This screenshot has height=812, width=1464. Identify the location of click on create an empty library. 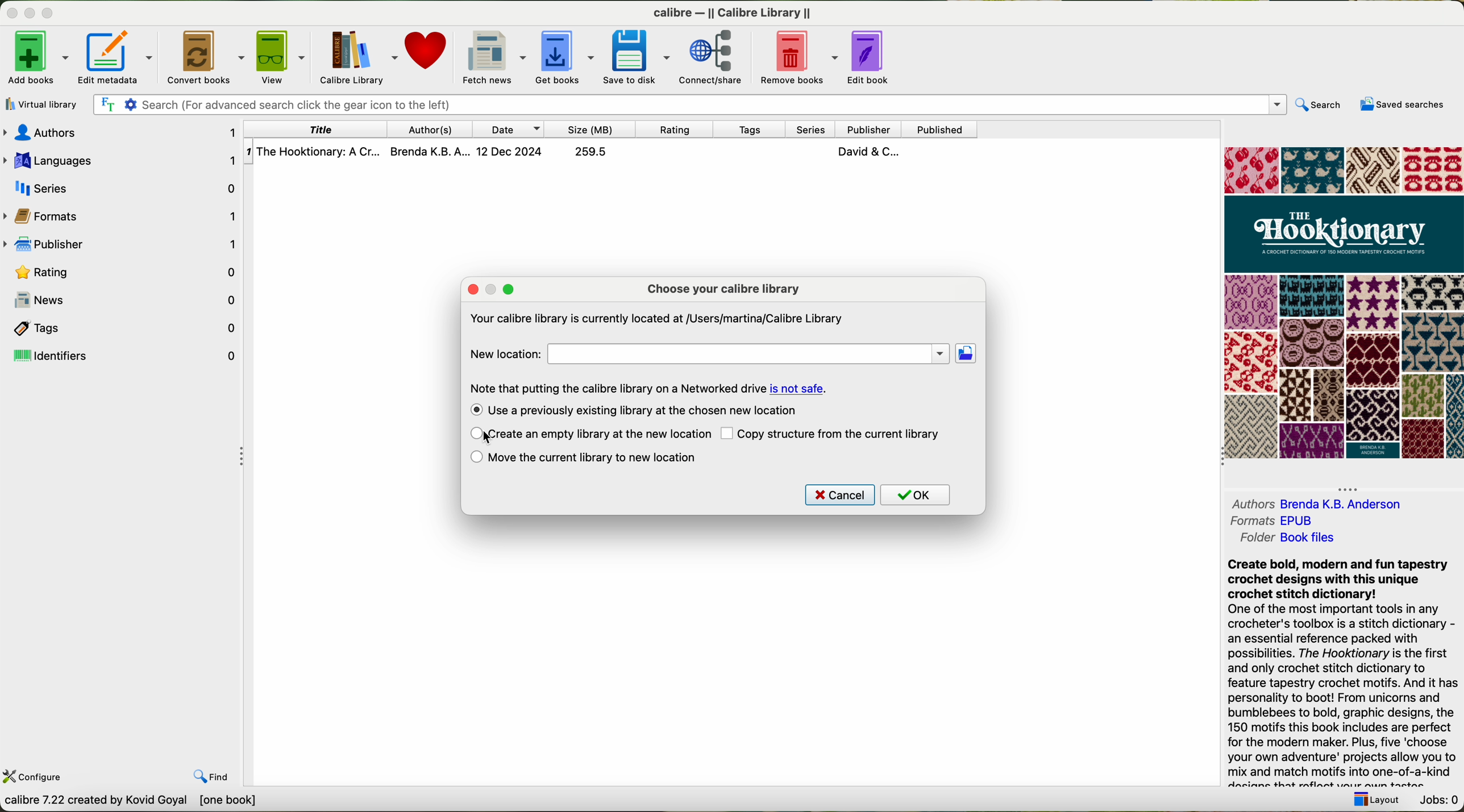
(600, 435).